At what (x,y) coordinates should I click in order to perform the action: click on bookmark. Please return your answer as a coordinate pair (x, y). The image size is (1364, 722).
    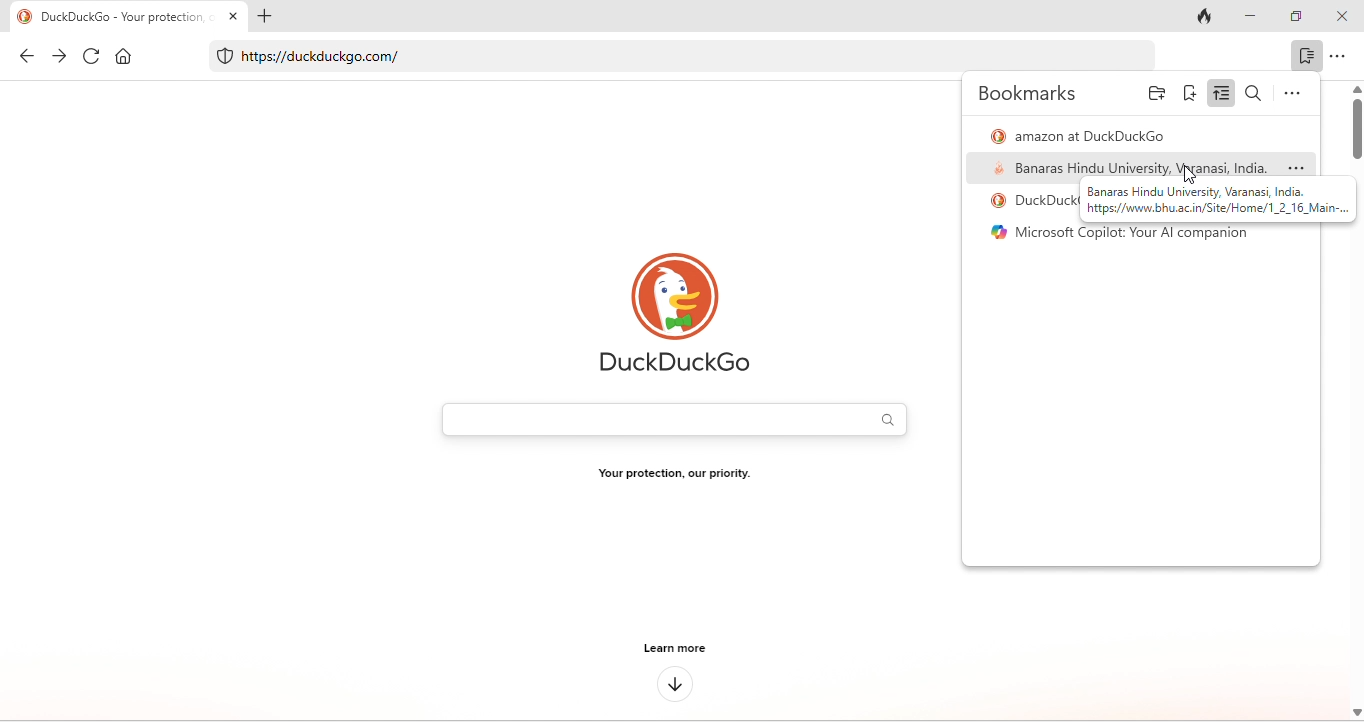
    Looking at the image, I should click on (1302, 56).